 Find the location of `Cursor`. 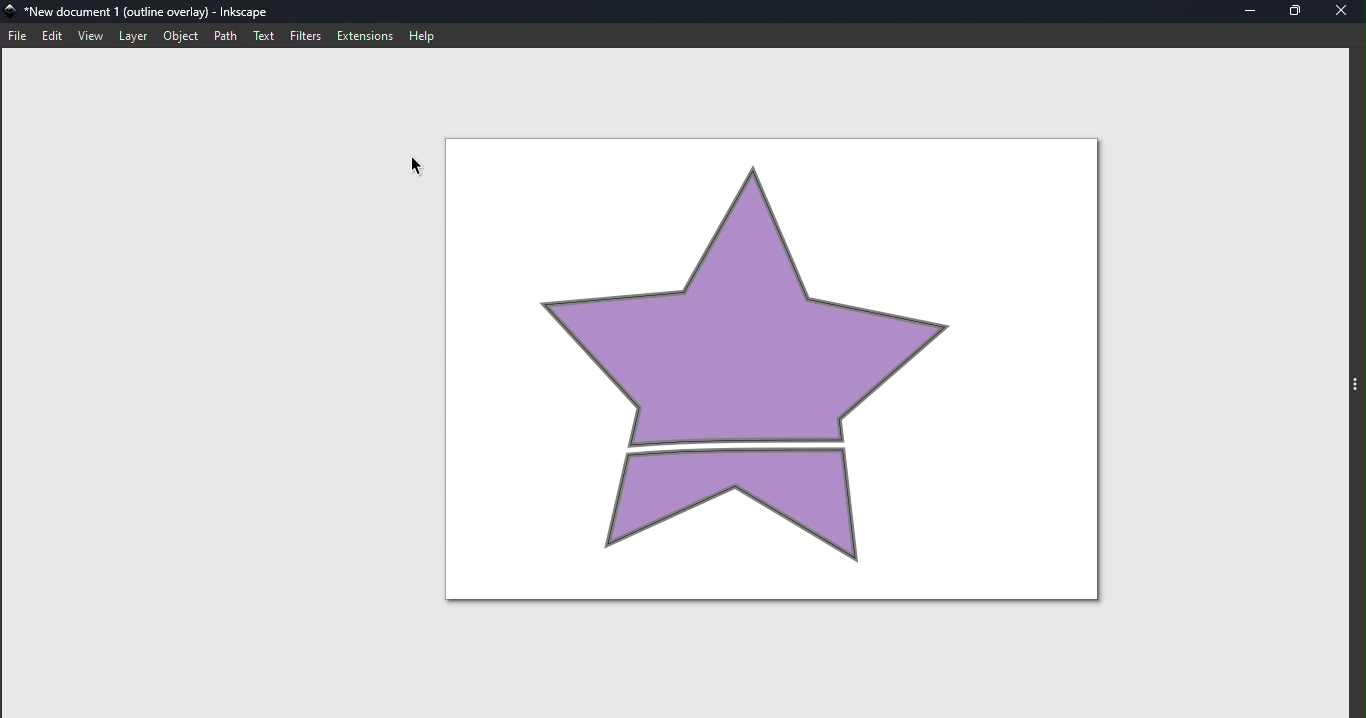

Cursor is located at coordinates (413, 168).